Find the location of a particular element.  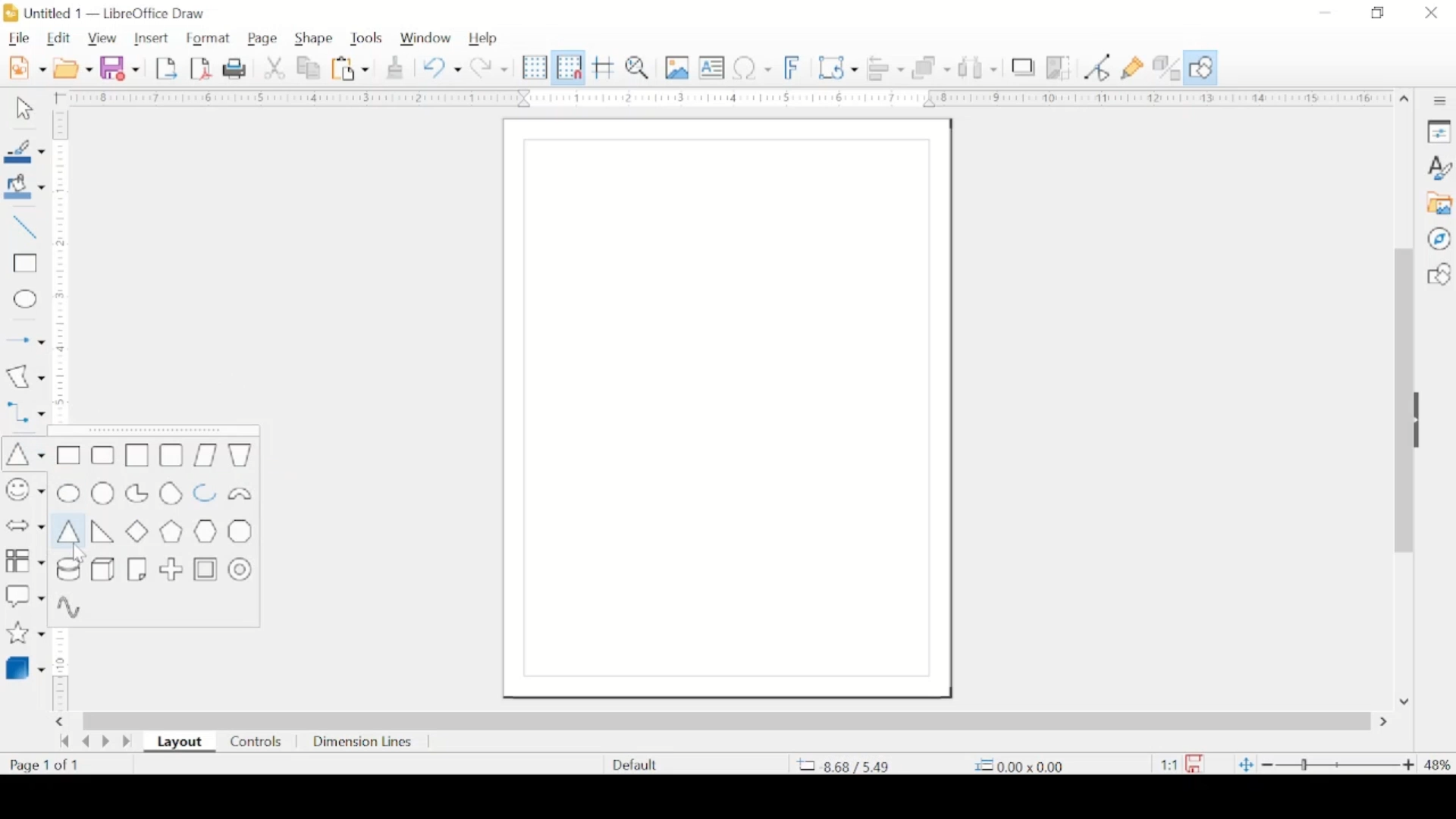

go back is located at coordinates (64, 741).